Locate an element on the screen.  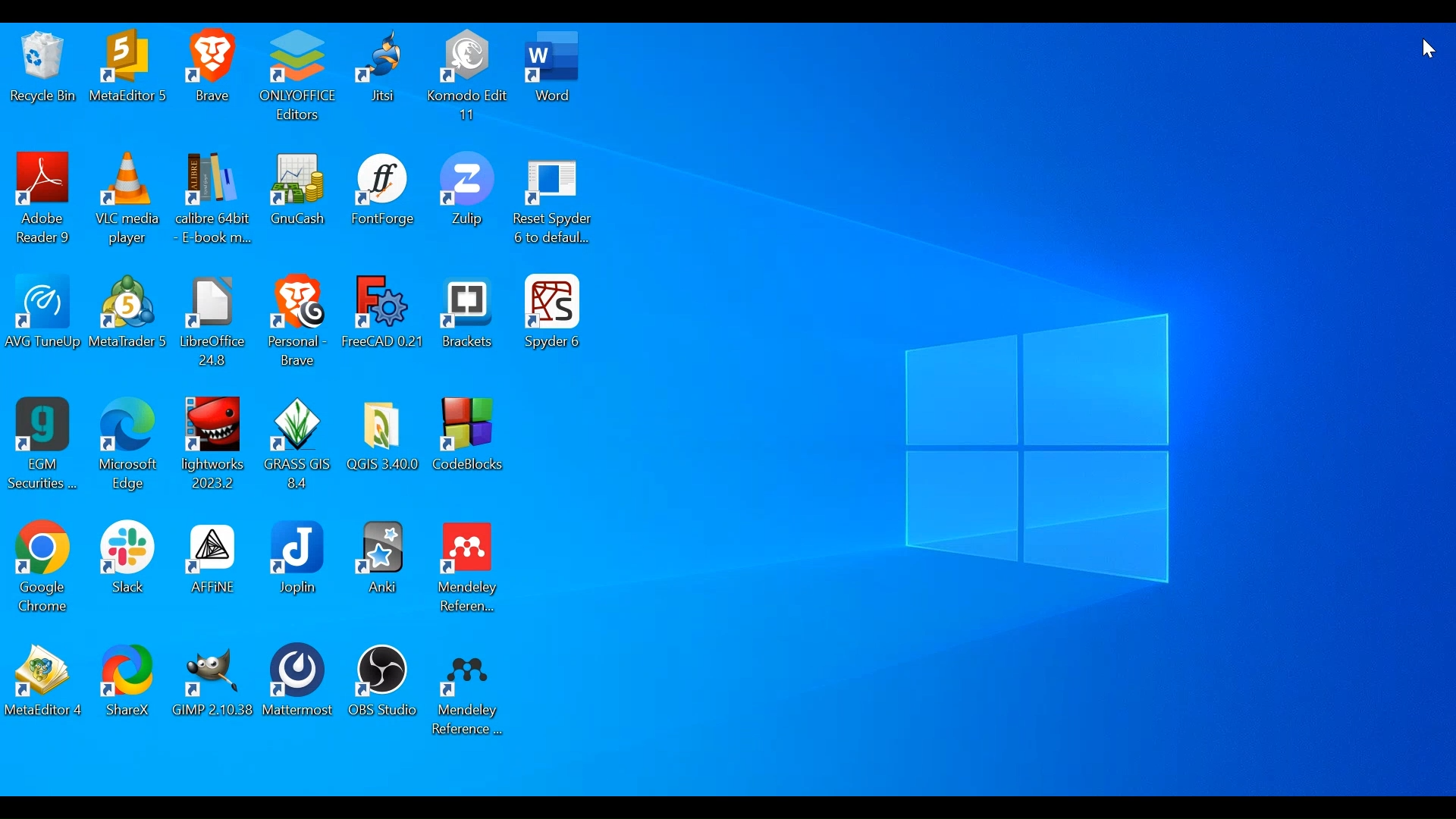
ShareX  is located at coordinates (130, 687).